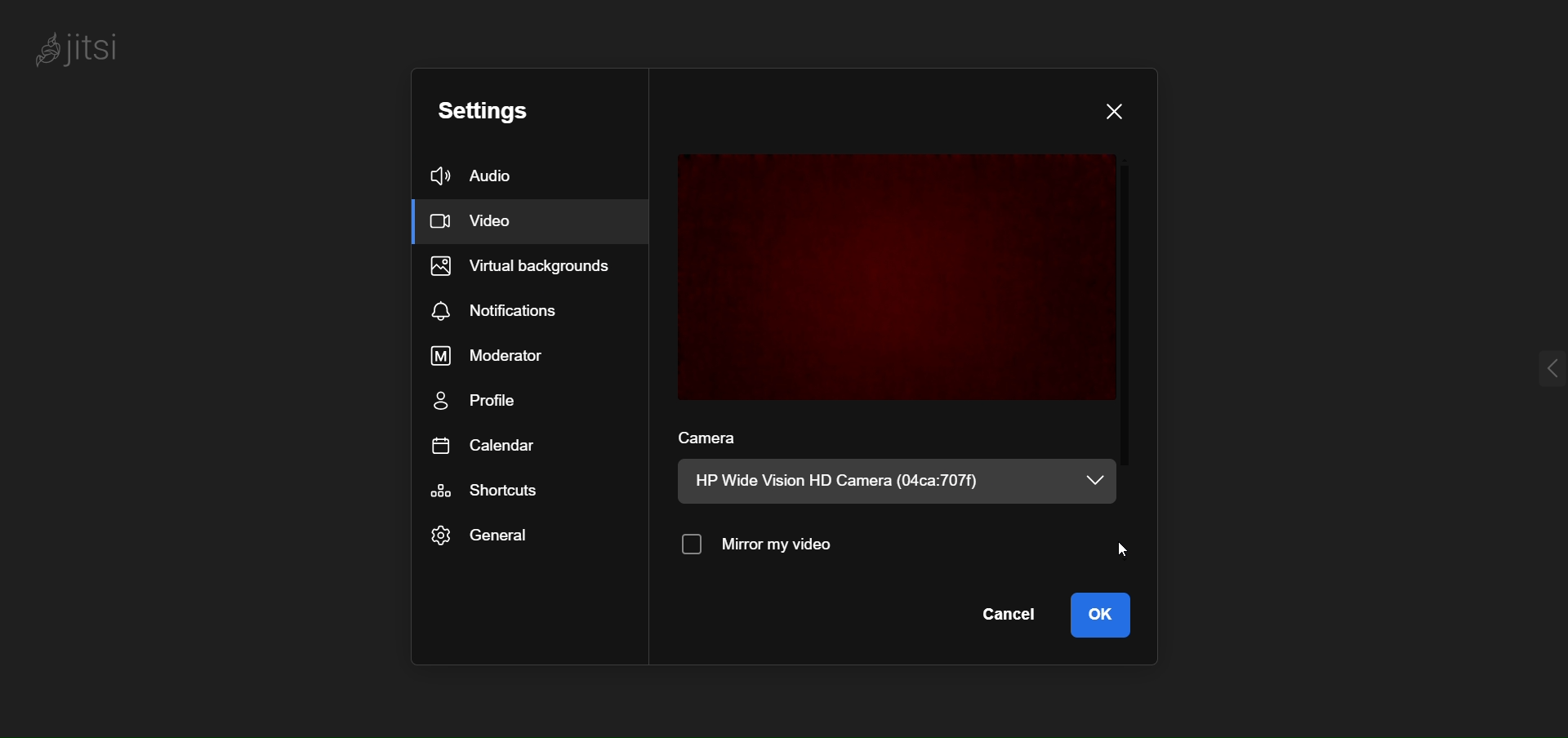 The width and height of the screenshot is (1568, 738). Describe the element at coordinates (760, 545) in the screenshot. I see `mirror my video` at that location.